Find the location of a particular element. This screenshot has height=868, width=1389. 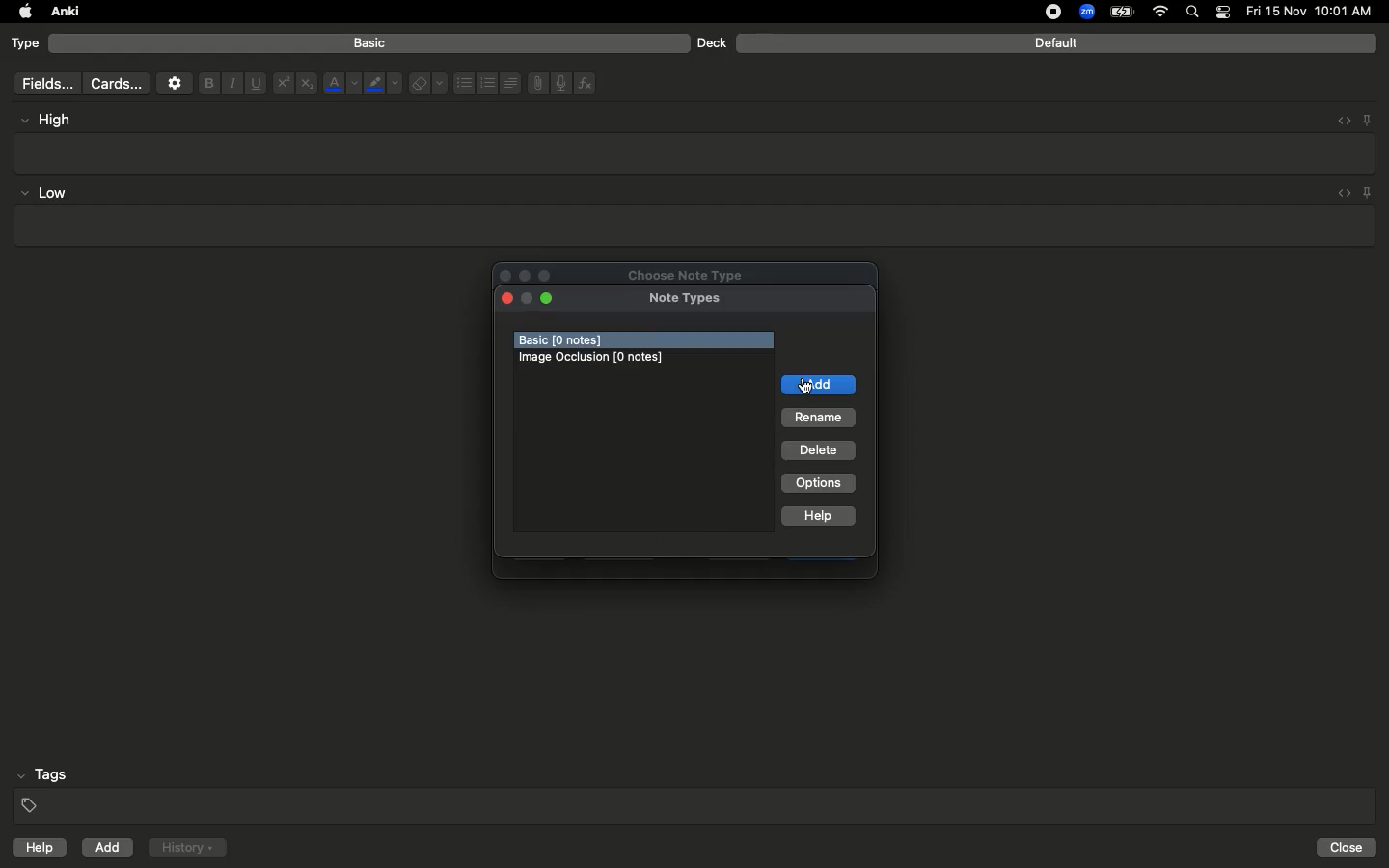

Rename is located at coordinates (820, 420).